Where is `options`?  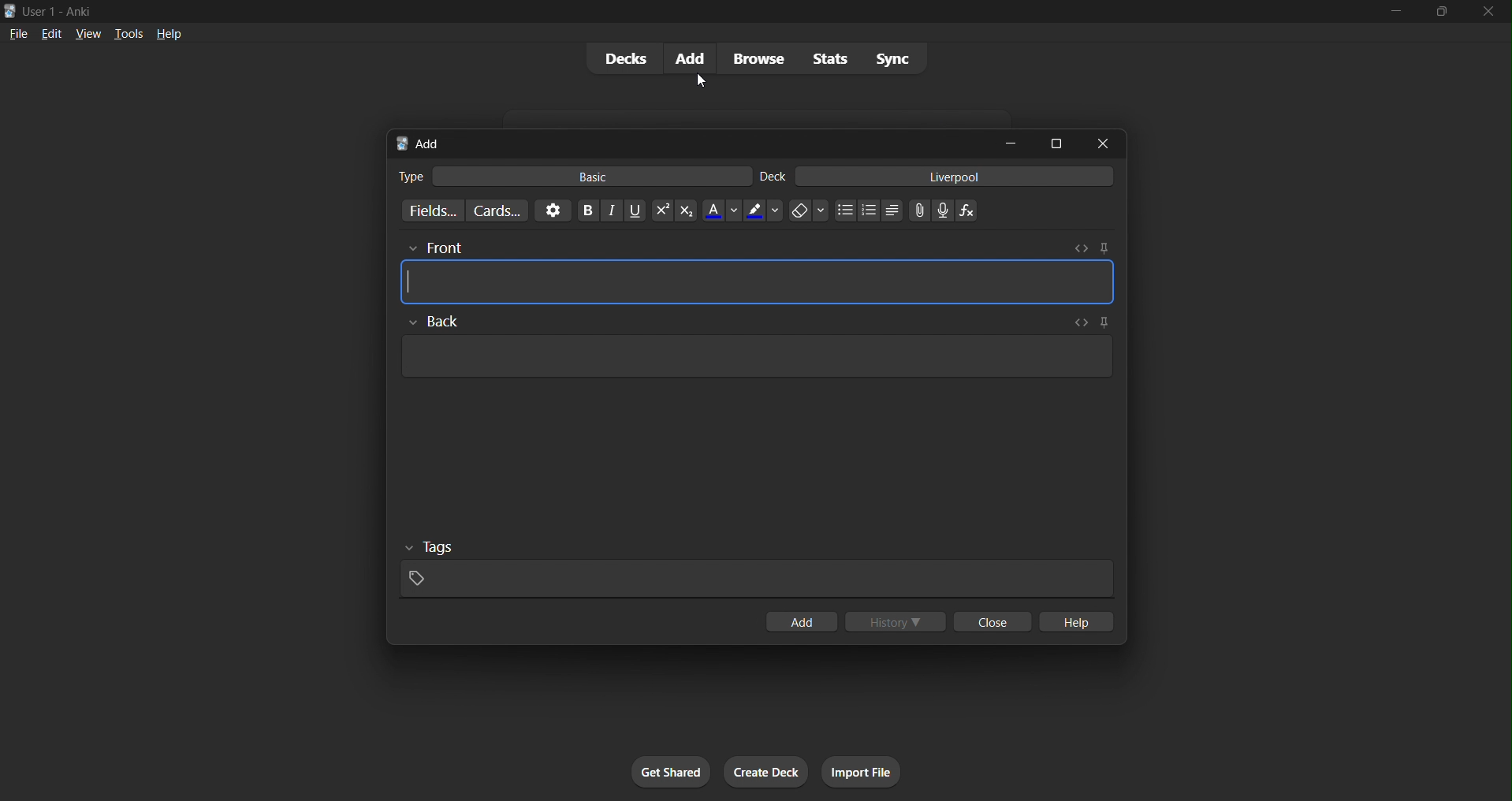 options is located at coordinates (551, 210).